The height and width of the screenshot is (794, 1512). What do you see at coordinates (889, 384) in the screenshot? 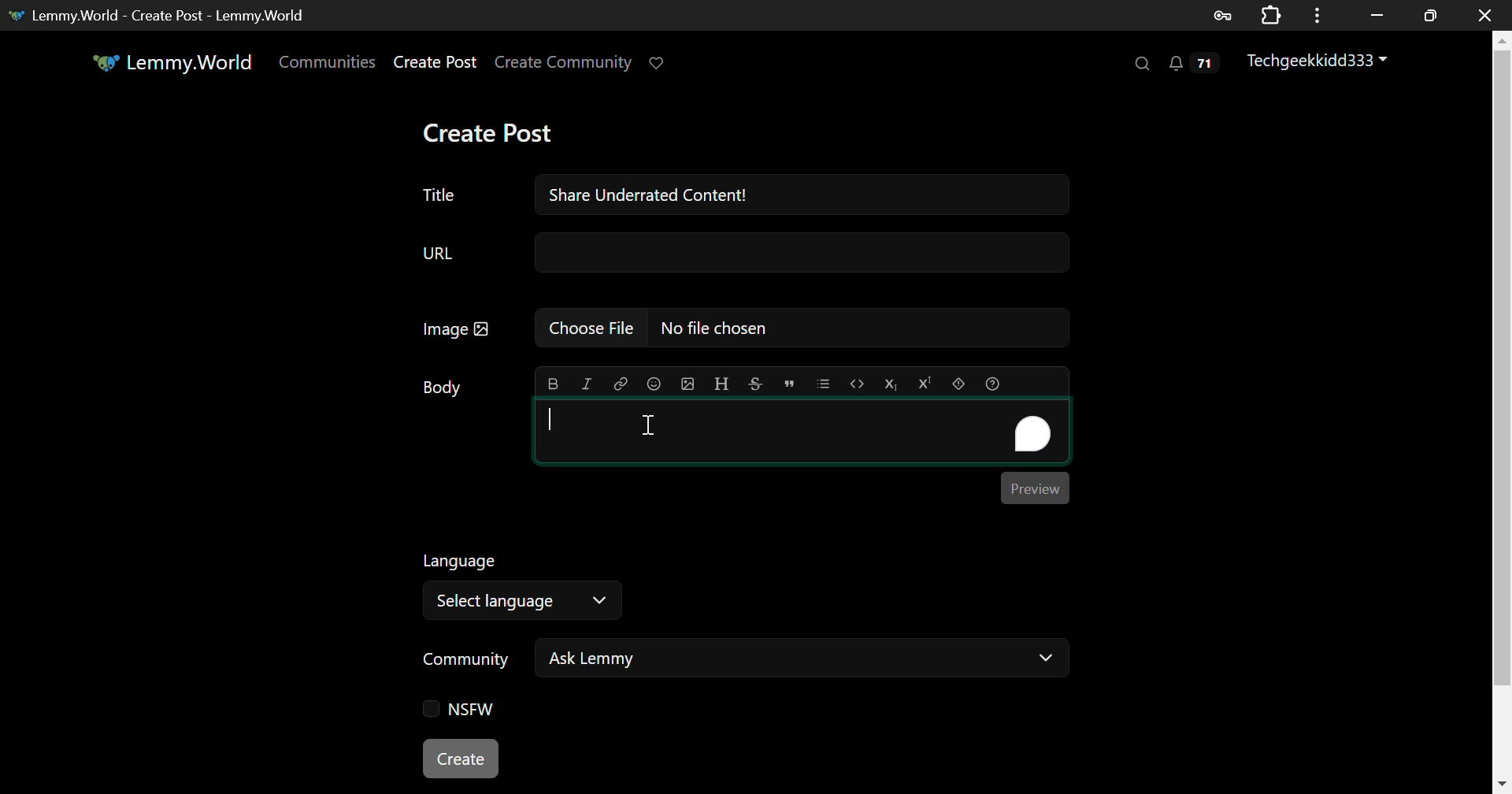
I see `Subscript` at bounding box center [889, 384].